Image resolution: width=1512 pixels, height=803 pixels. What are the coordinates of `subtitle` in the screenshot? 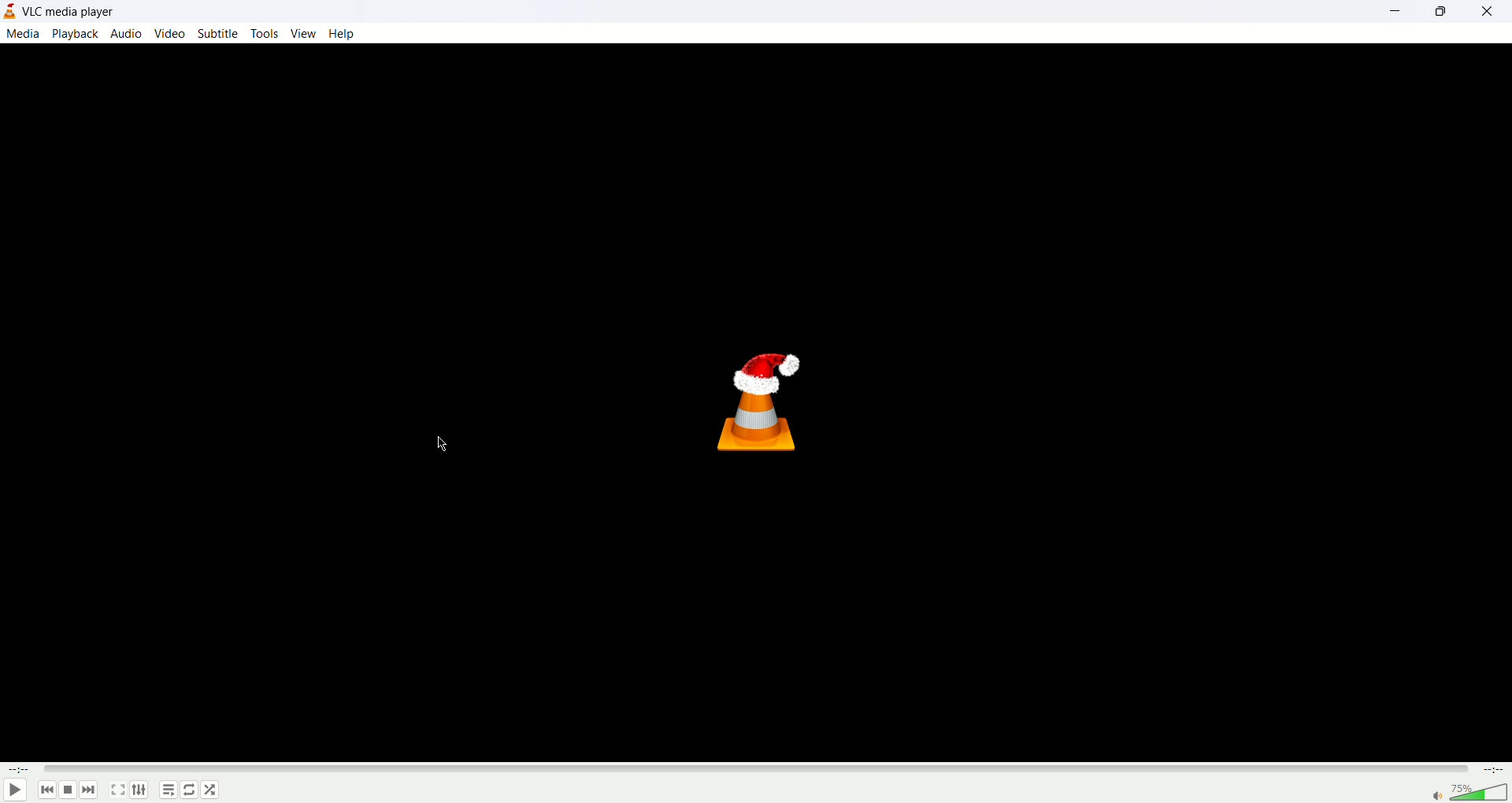 It's located at (216, 34).